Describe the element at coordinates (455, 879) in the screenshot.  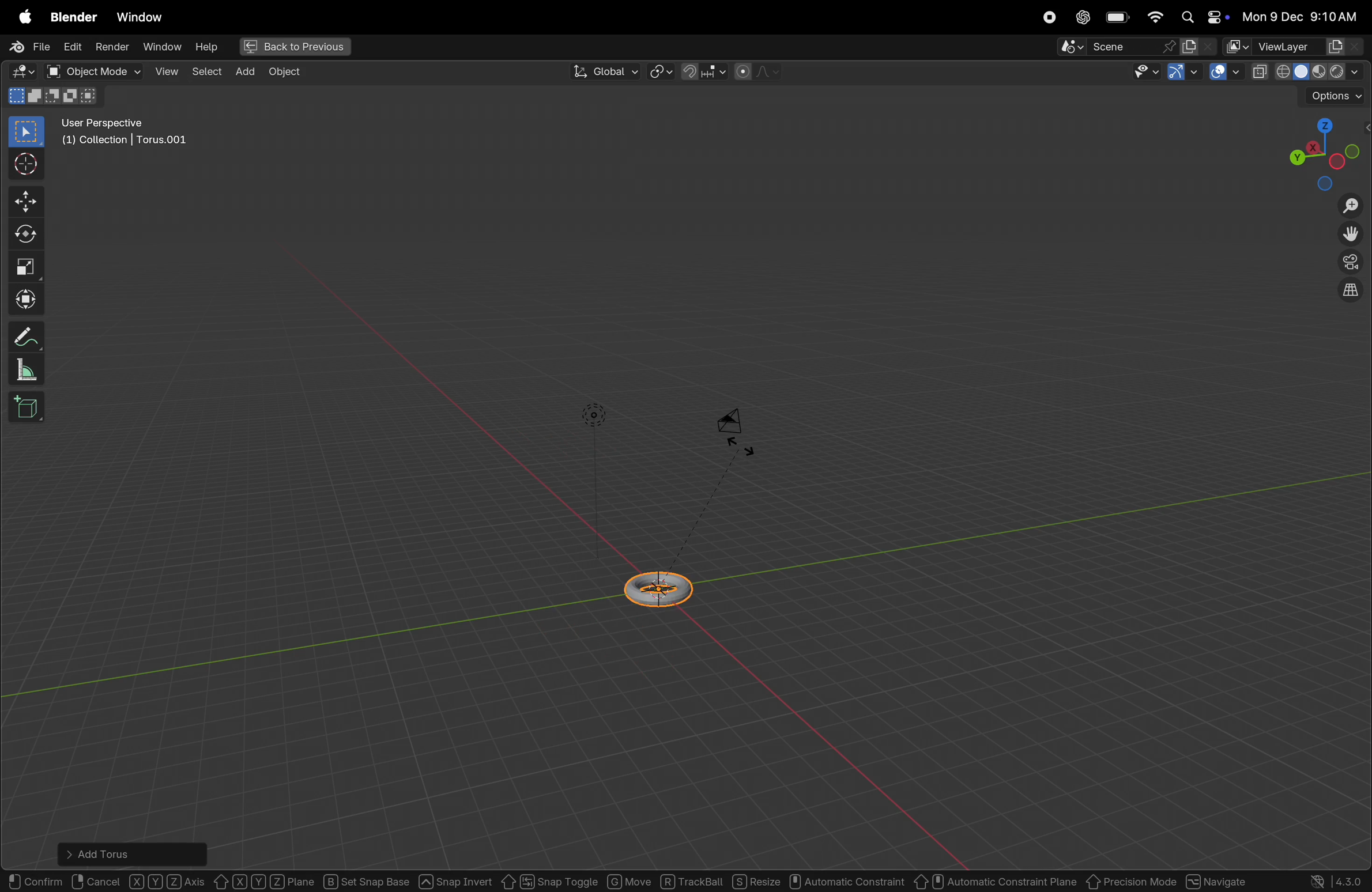
I see `snap invert` at that location.